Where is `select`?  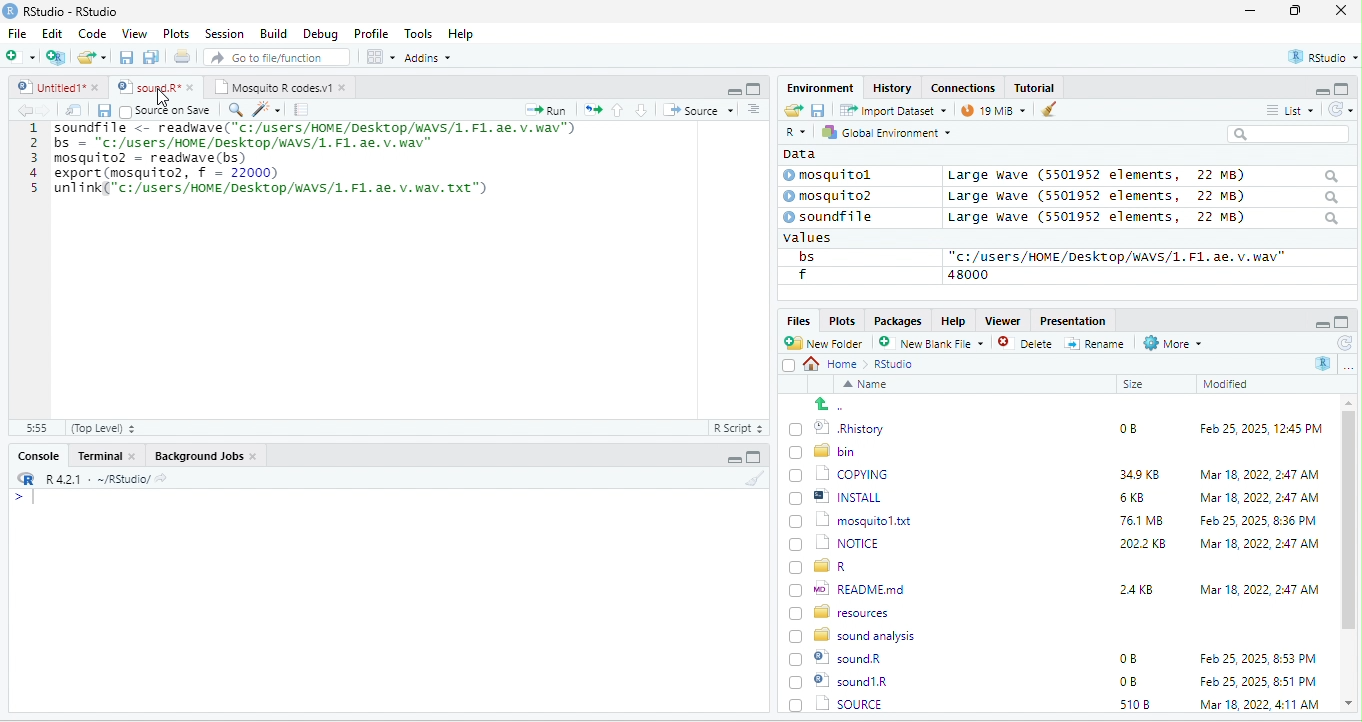
select is located at coordinates (791, 369).